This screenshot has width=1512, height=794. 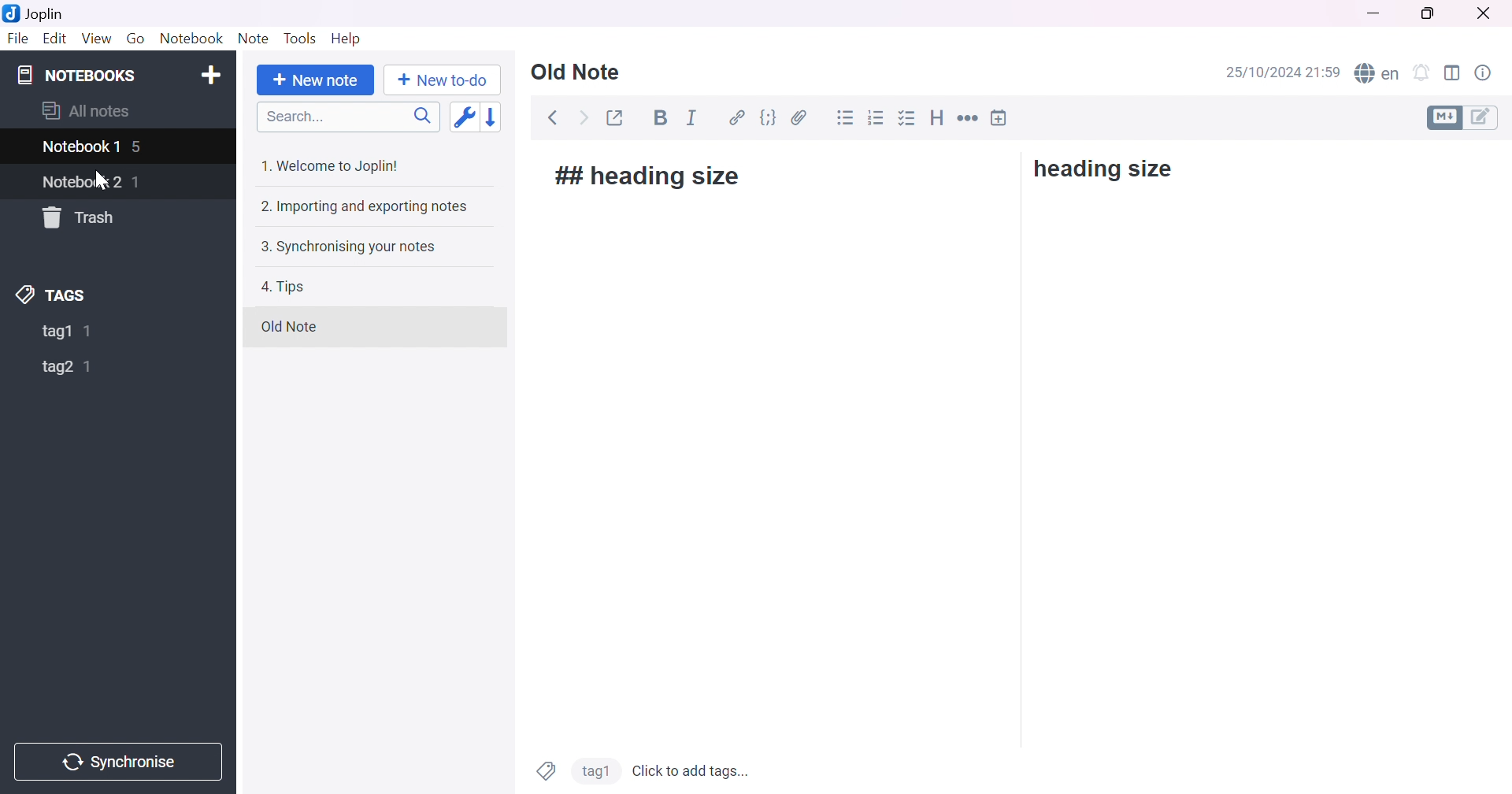 I want to click on Hyperlink, so click(x=739, y=118).